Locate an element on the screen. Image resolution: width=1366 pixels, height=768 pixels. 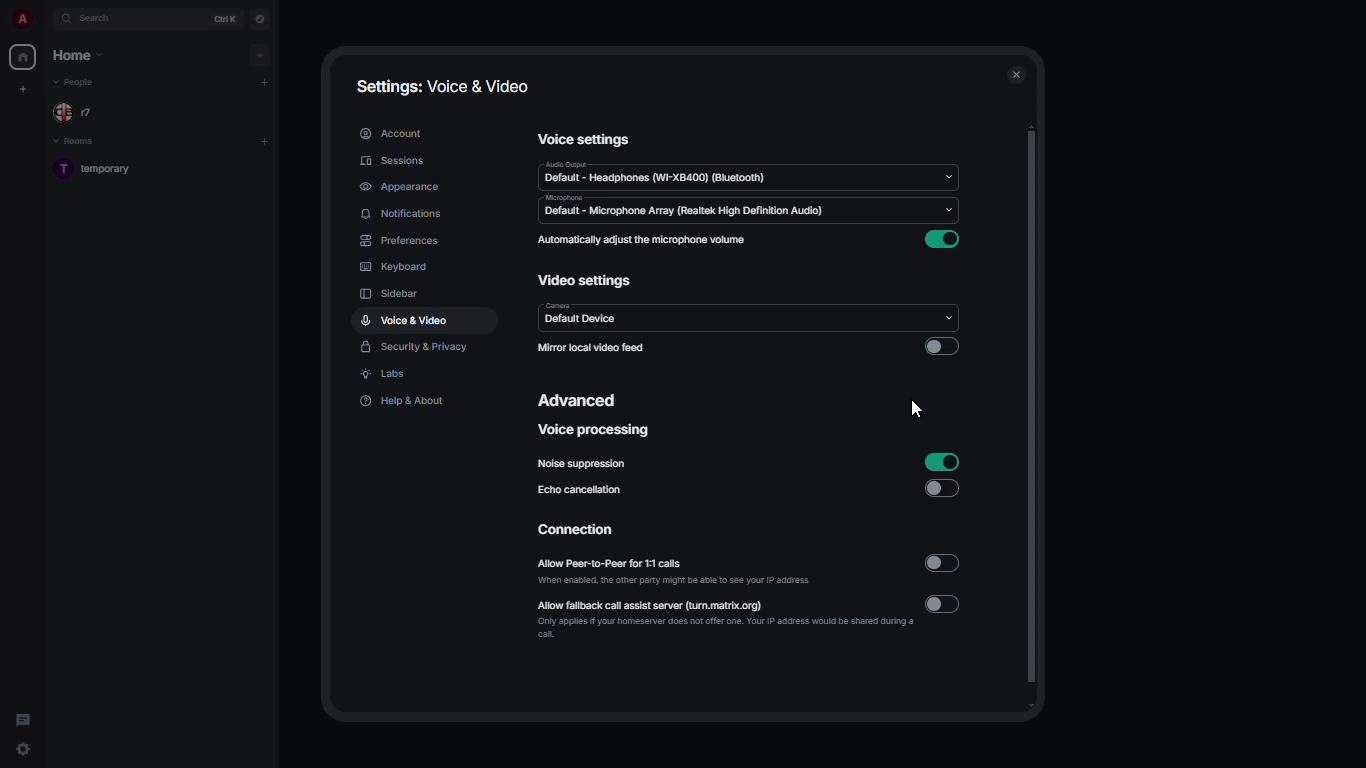
allow fallback call assist server is located at coordinates (725, 618).